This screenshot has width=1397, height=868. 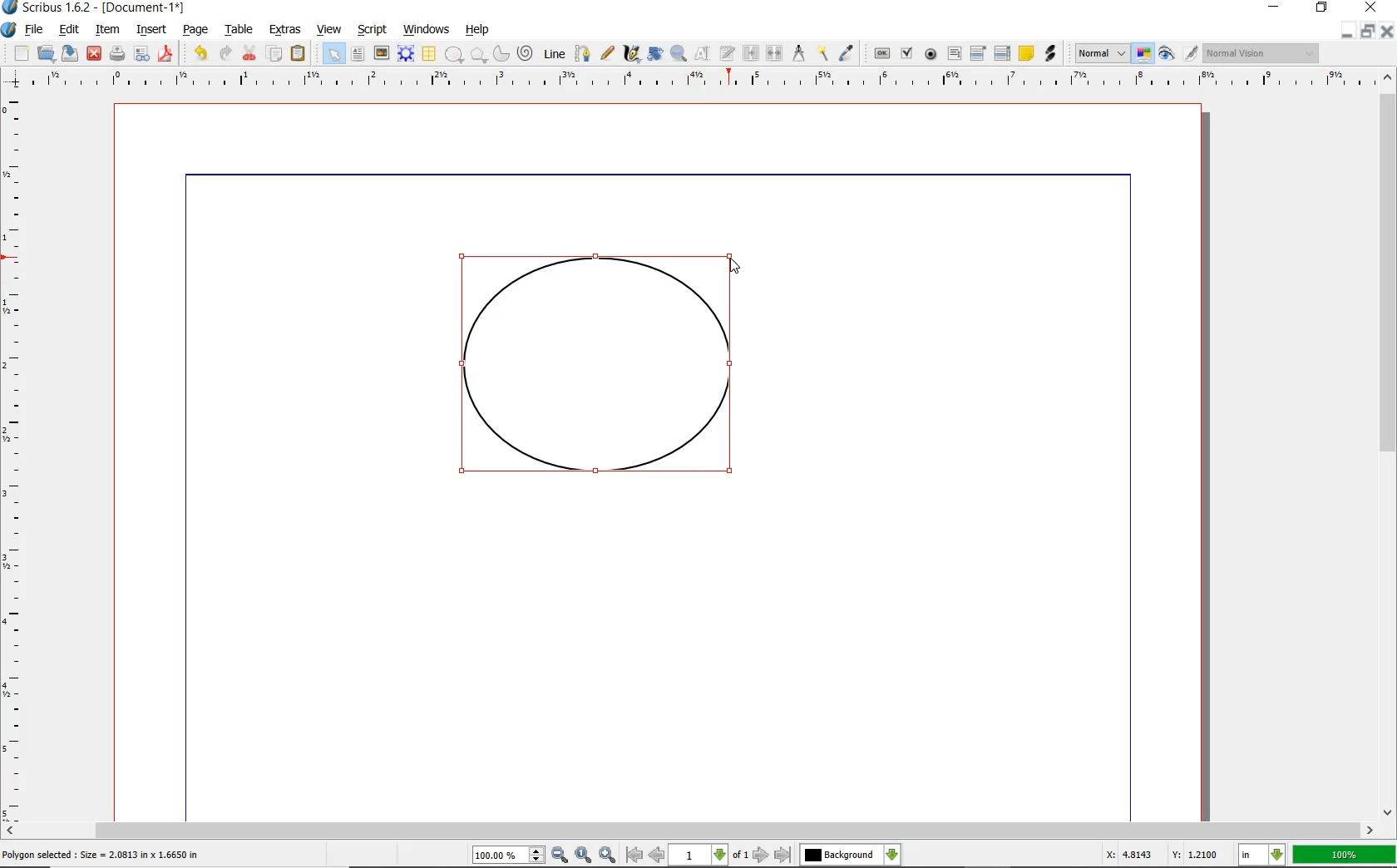 What do you see at coordinates (225, 52) in the screenshot?
I see `REDO` at bounding box center [225, 52].